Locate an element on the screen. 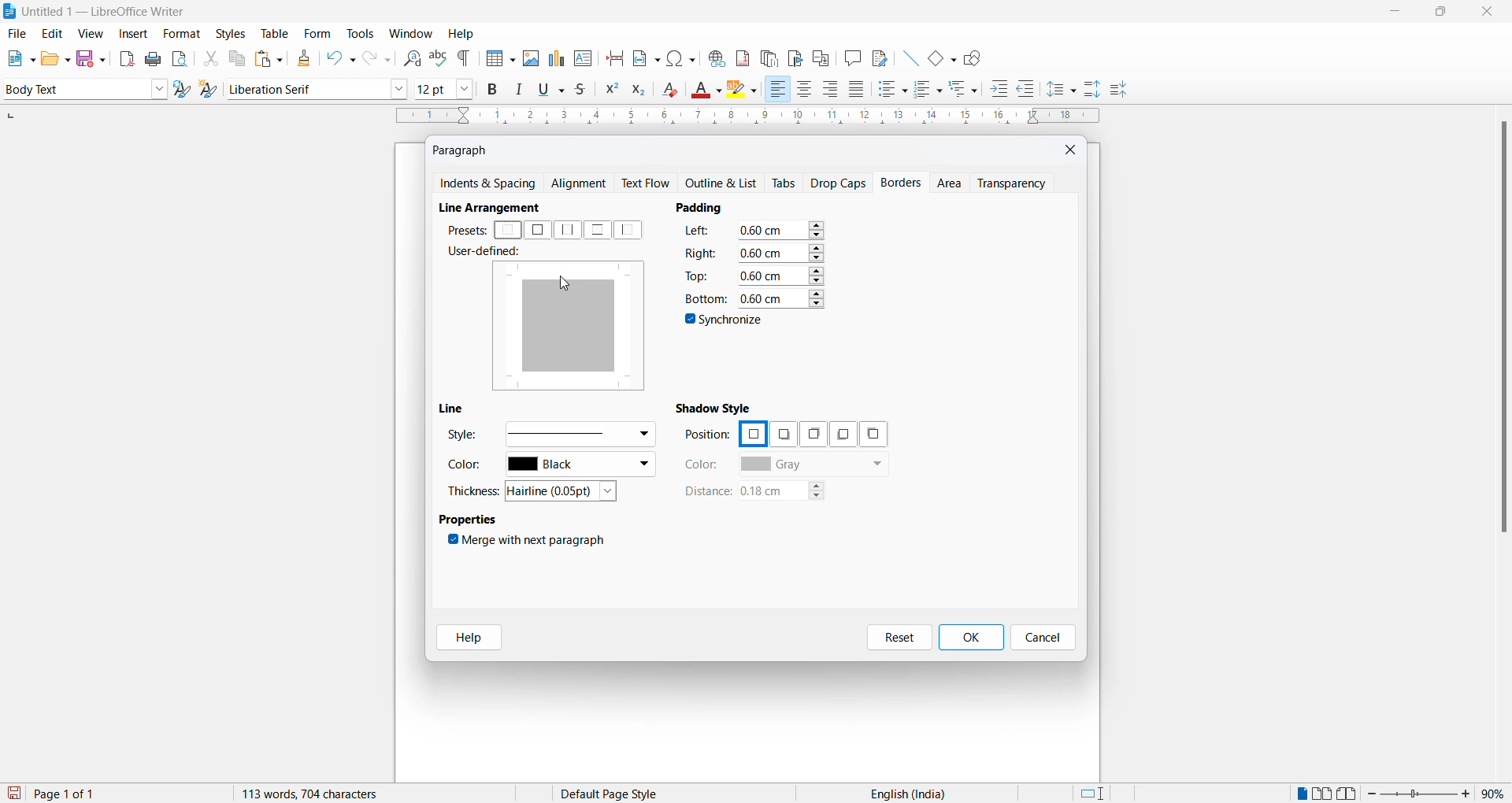  new file options is located at coordinates (17, 58).